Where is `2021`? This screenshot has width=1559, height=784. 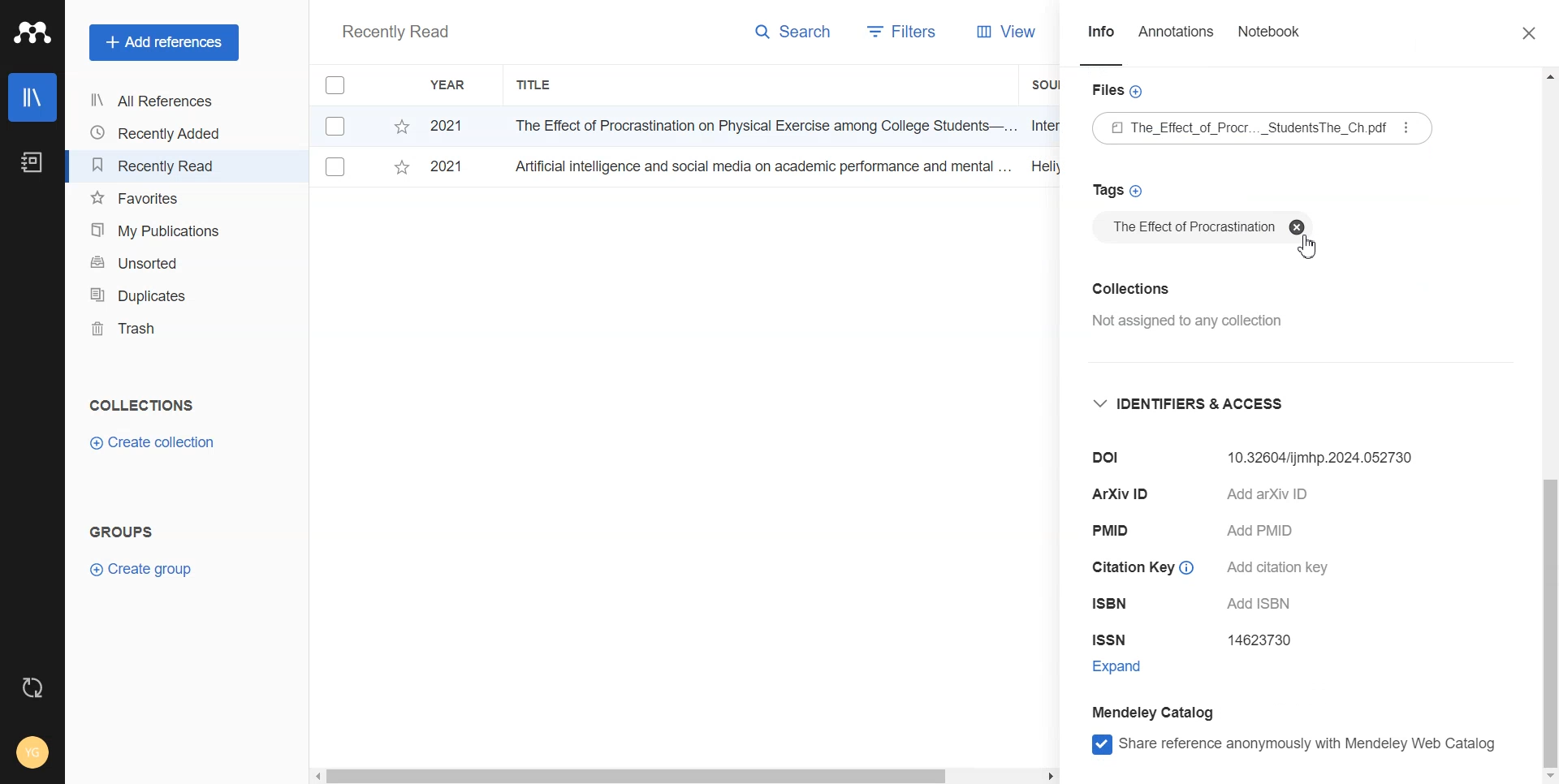 2021 is located at coordinates (447, 127).